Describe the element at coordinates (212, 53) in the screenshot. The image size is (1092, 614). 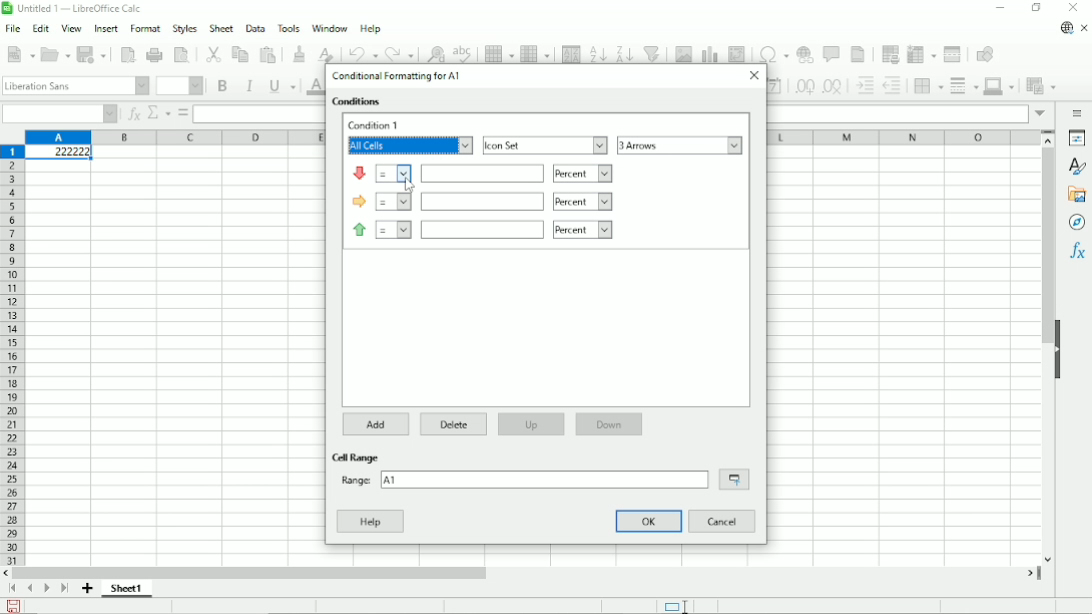
I see `Cut` at that location.